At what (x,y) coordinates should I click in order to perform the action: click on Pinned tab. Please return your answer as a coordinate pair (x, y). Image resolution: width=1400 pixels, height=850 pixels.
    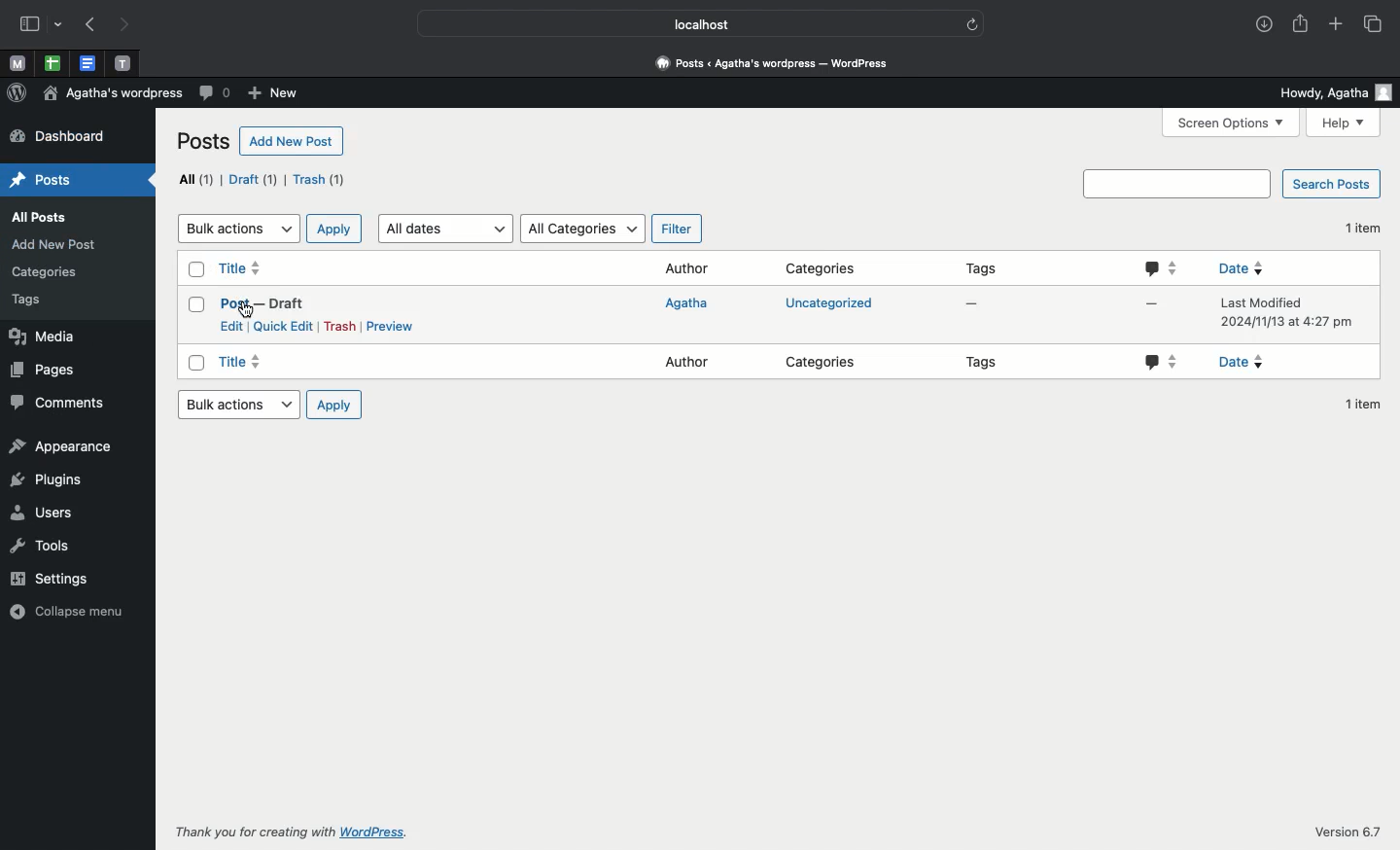
    Looking at the image, I should click on (122, 62).